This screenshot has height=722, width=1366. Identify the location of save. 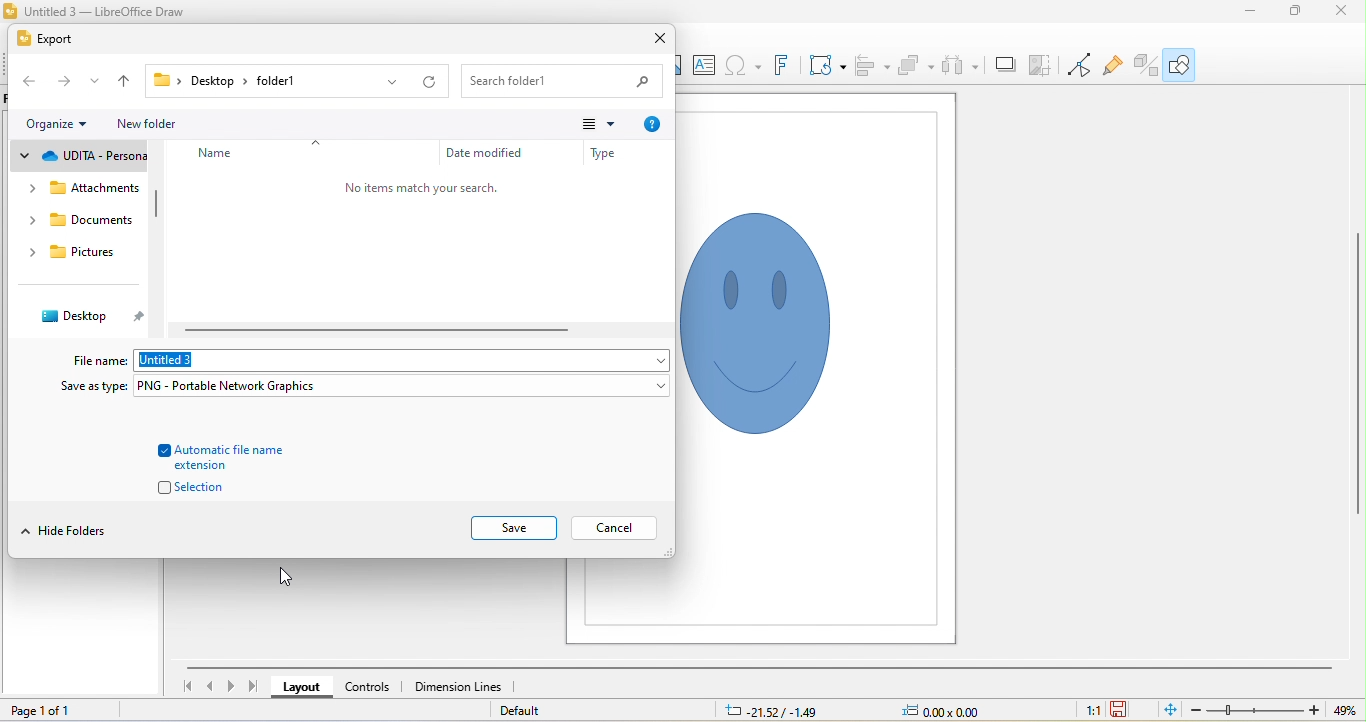
(1121, 709).